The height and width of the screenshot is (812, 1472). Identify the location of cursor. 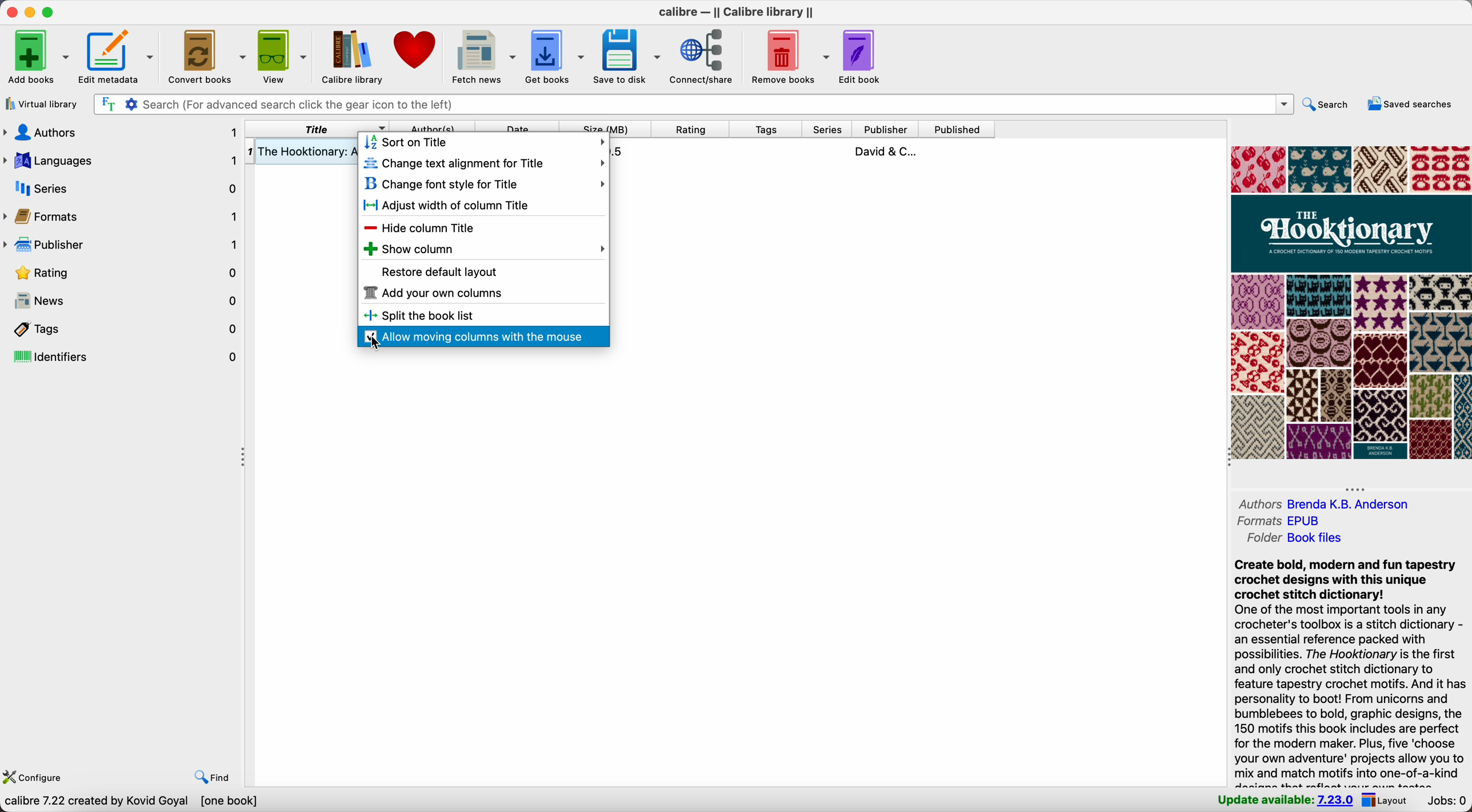
(376, 343).